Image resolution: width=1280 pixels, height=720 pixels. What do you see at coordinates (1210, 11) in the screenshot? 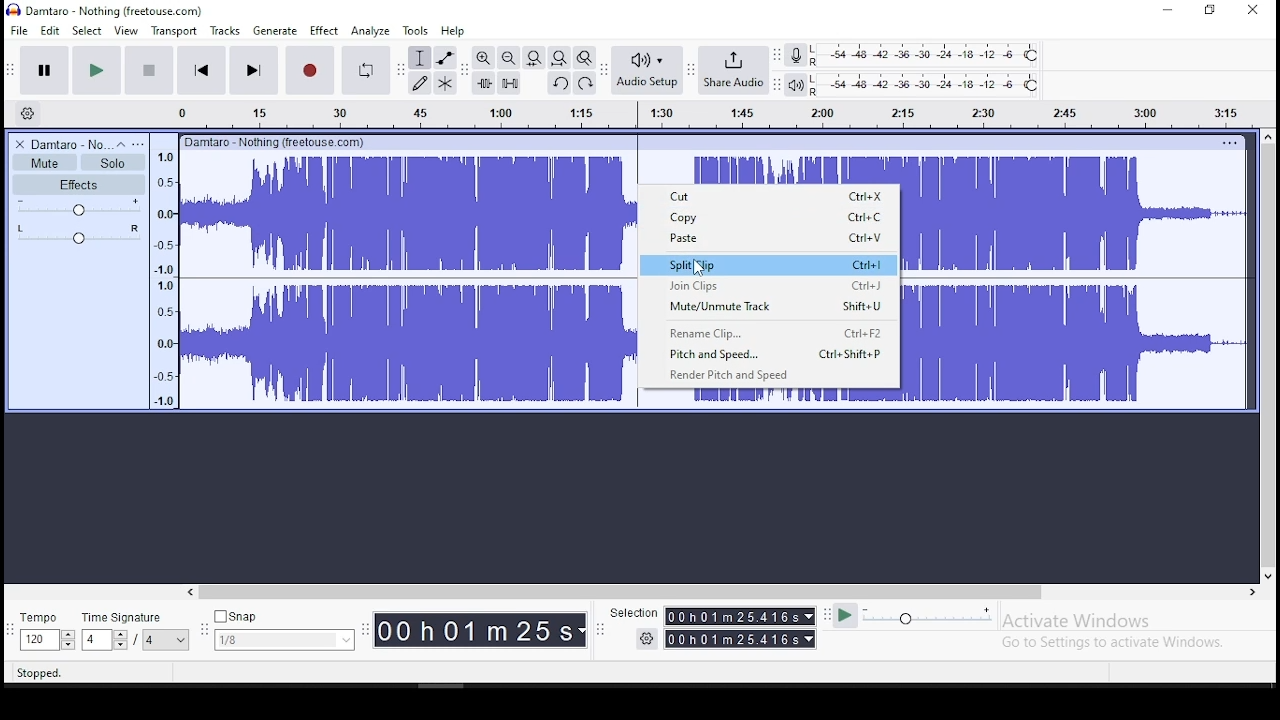
I see `restore` at bounding box center [1210, 11].